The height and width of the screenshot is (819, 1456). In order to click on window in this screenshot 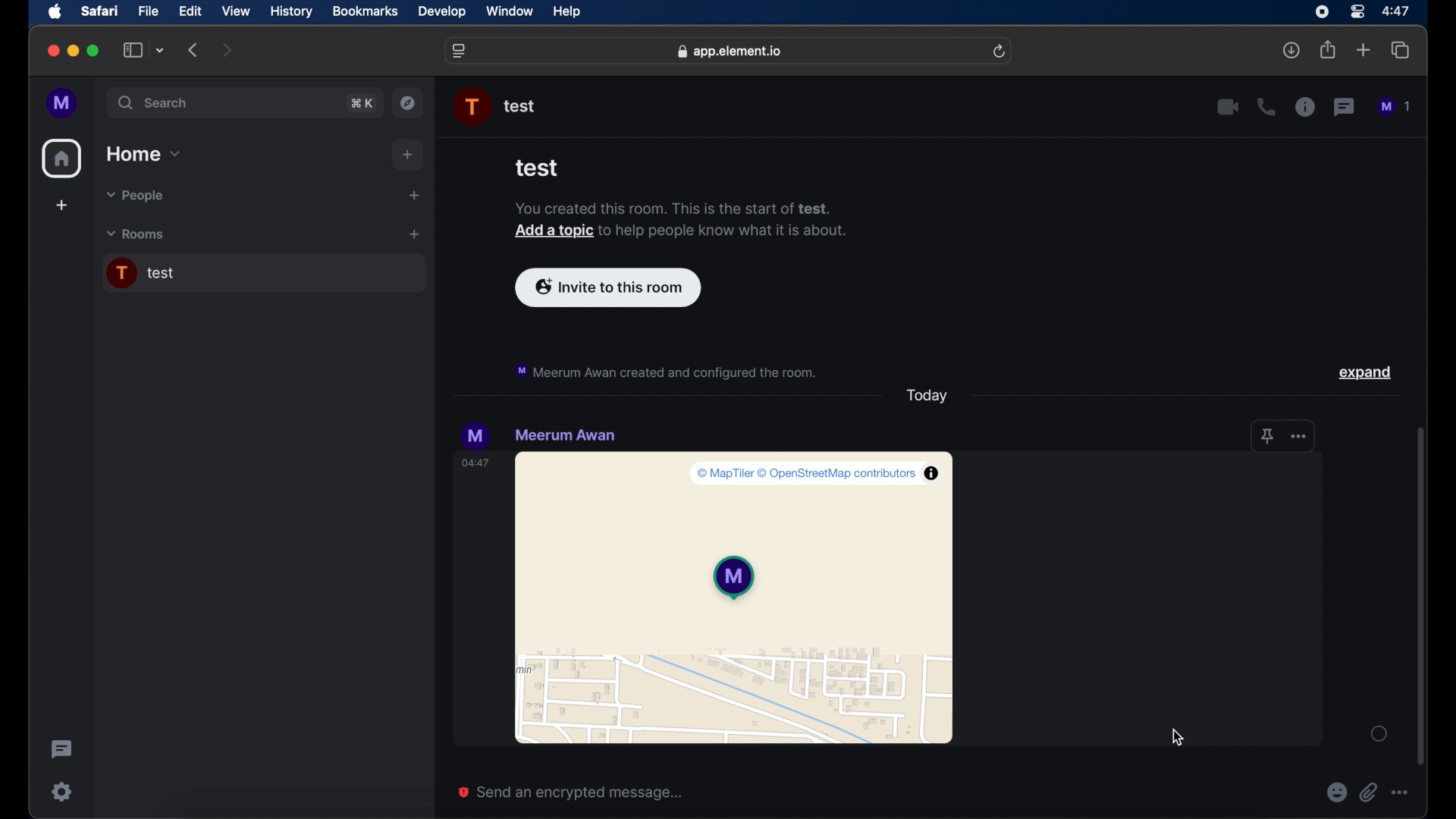, I will do `click(511, 12)`.